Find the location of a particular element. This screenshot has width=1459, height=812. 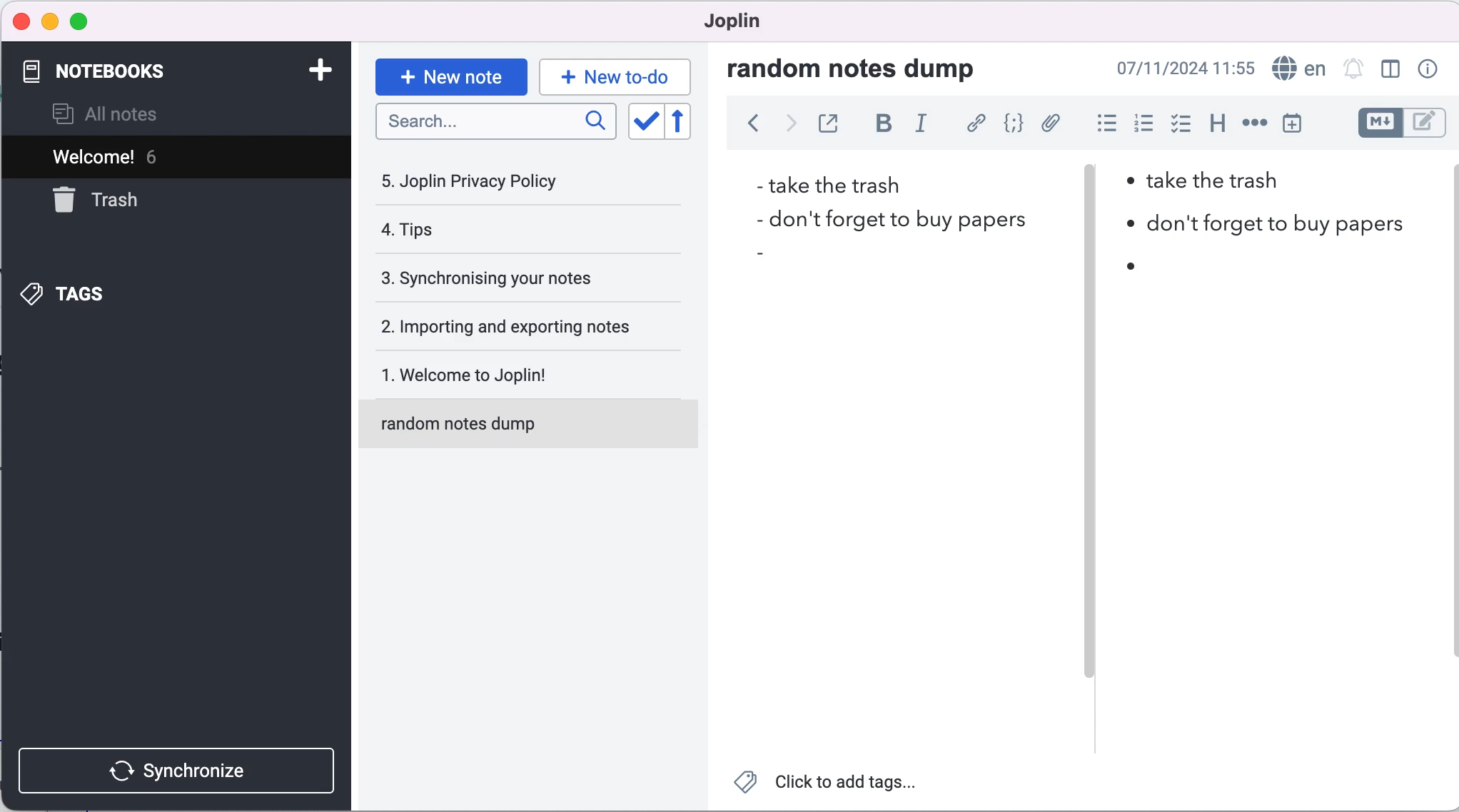

tips is located at coordinates (493, 233).